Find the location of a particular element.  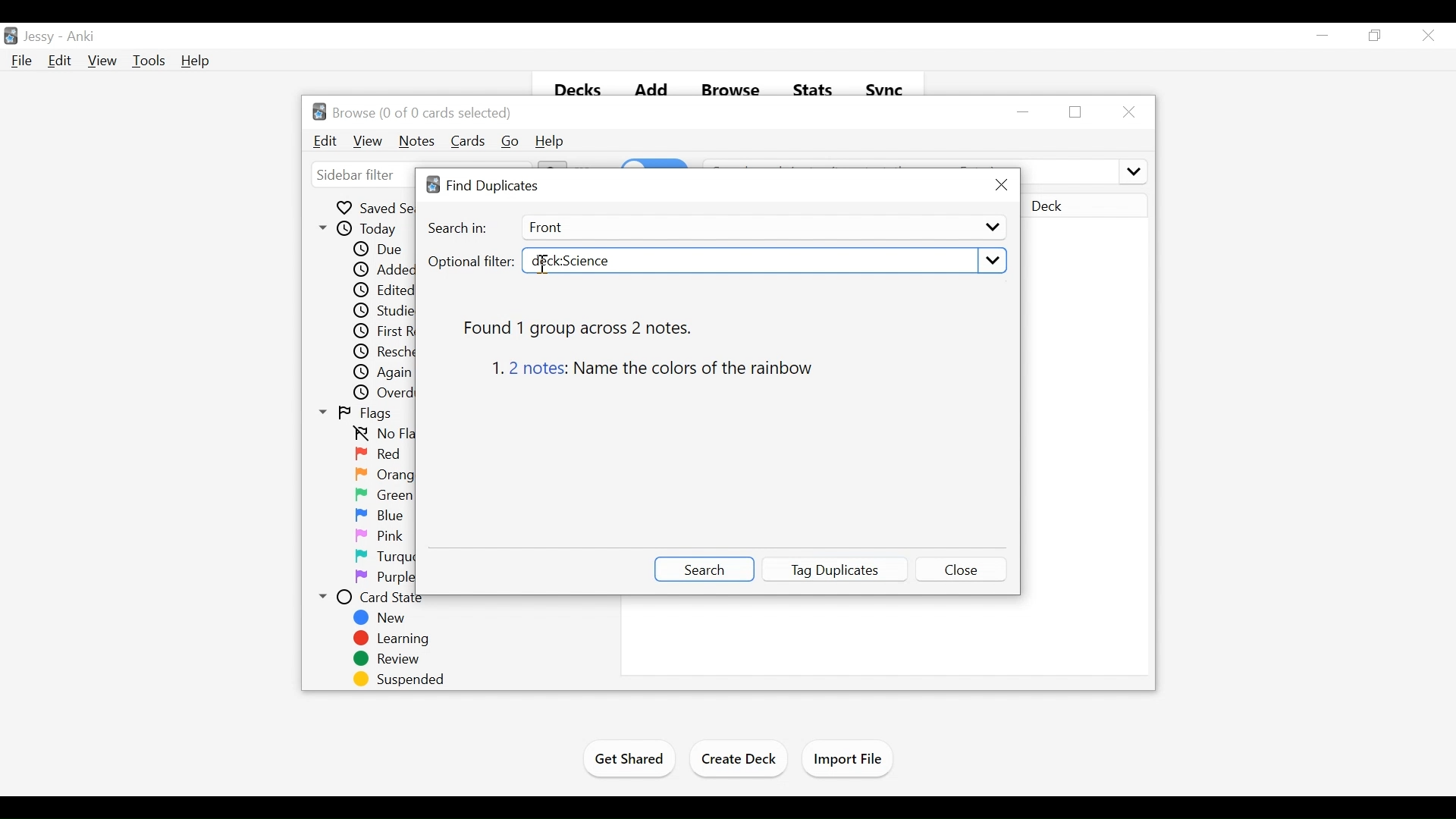

Number of duplicates found is located at coordinates (586, 327).